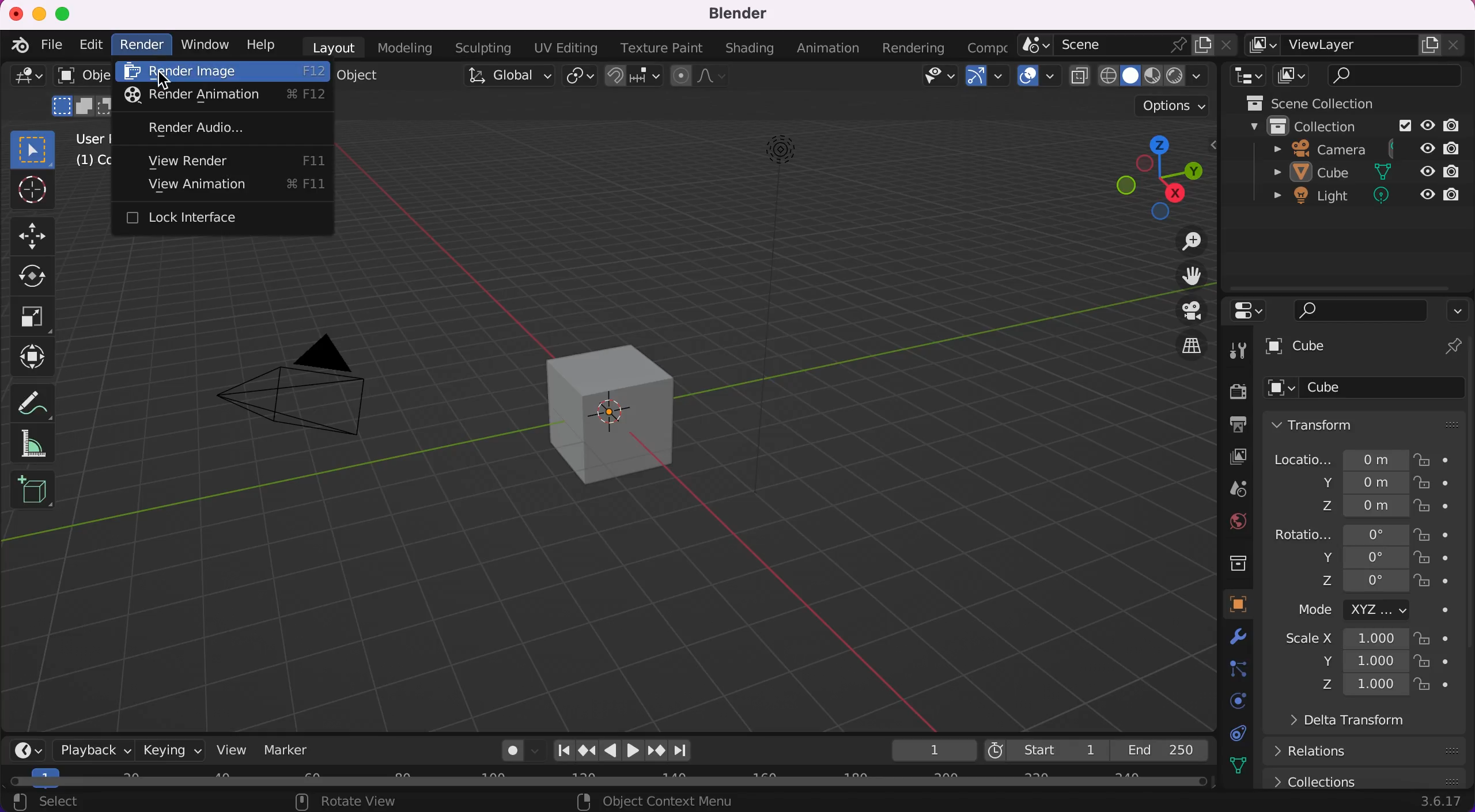 The width and height of the screenshot is (1475, 812). Describe the element at coordinates (1425, 170) in the screenshot. I see `hide in viewport` at that location.